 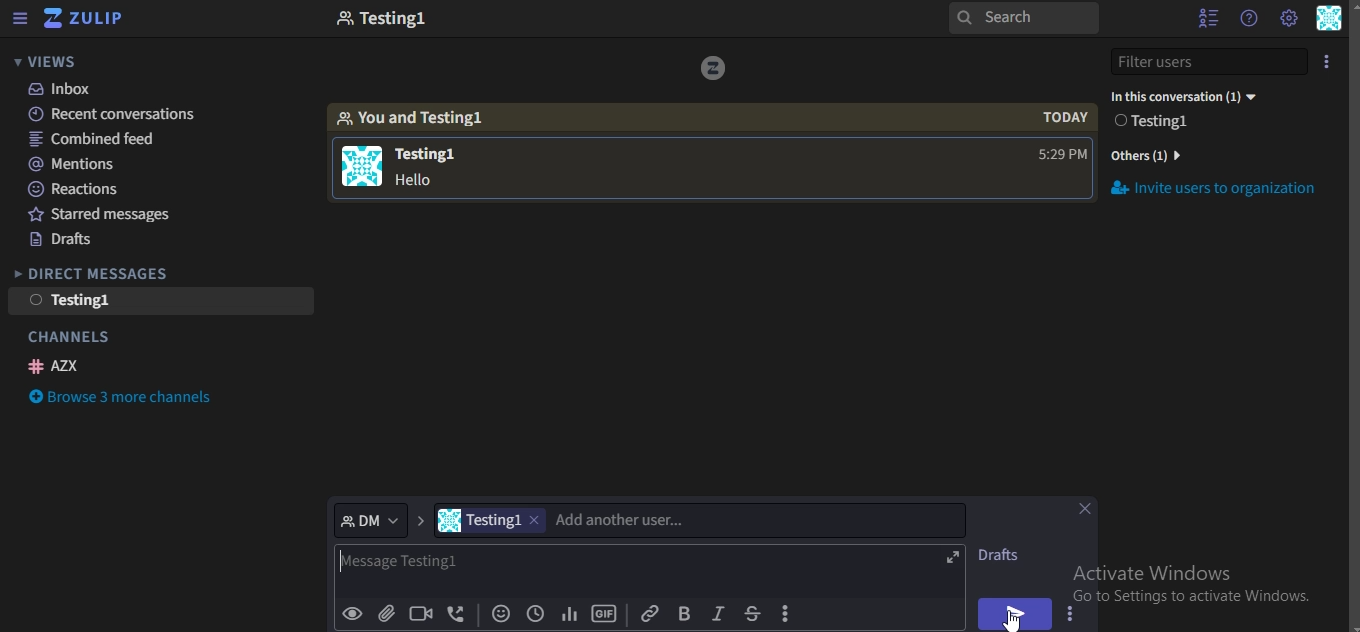 I want to click on icon, so click(x=360, y=165).